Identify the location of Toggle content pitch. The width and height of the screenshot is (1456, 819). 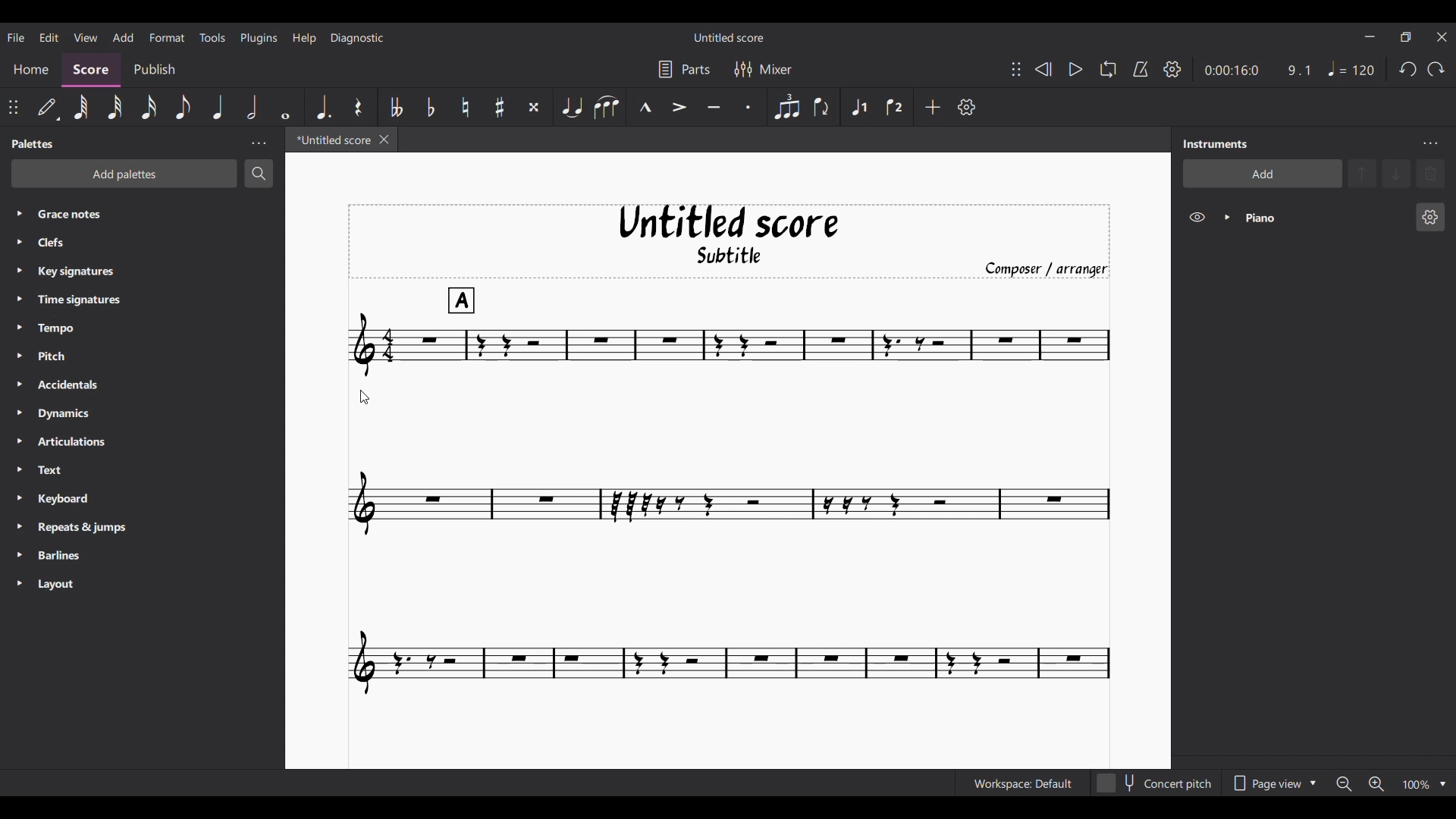
(1156, 783).